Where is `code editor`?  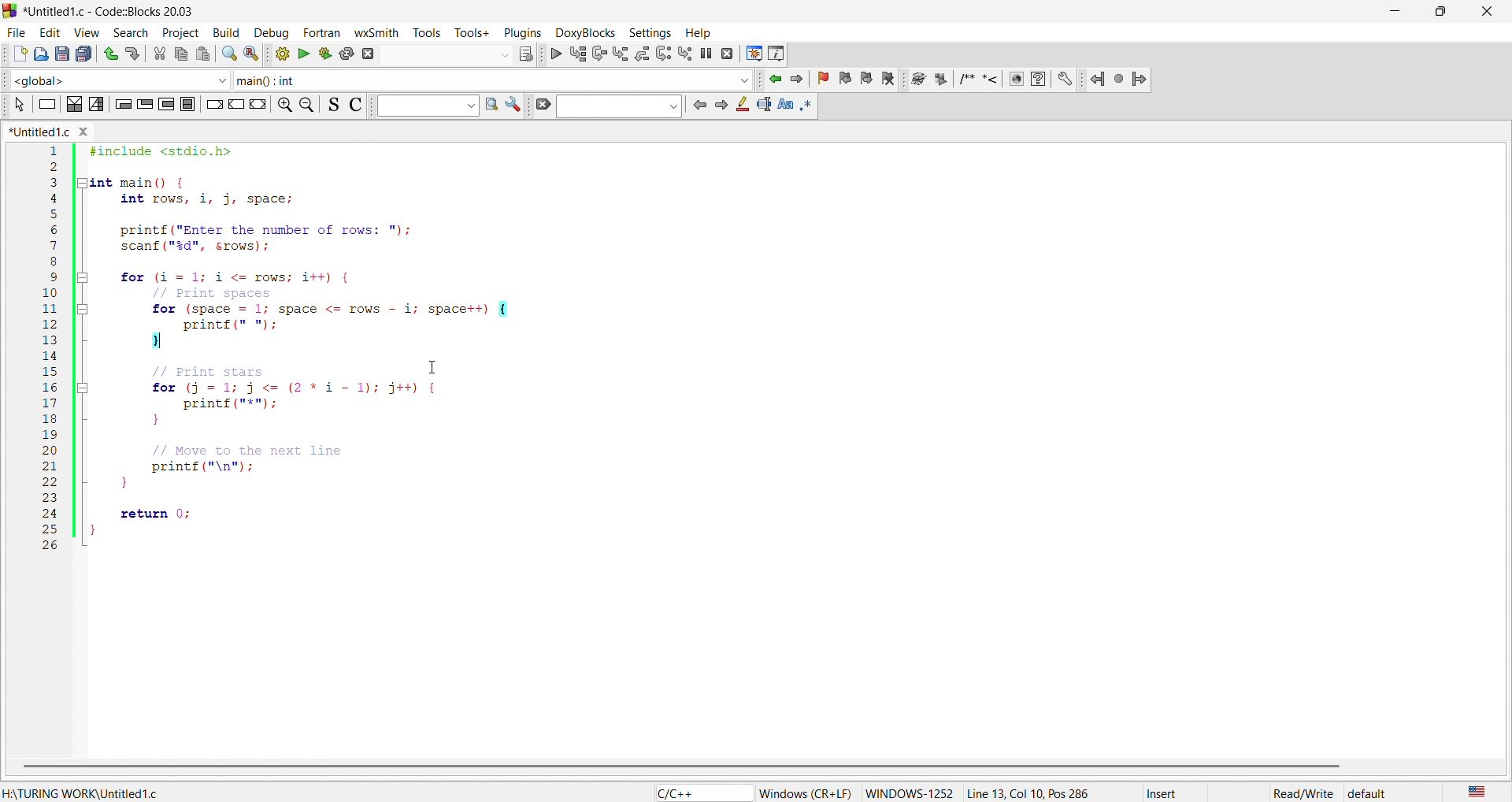 code editor is located at coordinates (784, 369).